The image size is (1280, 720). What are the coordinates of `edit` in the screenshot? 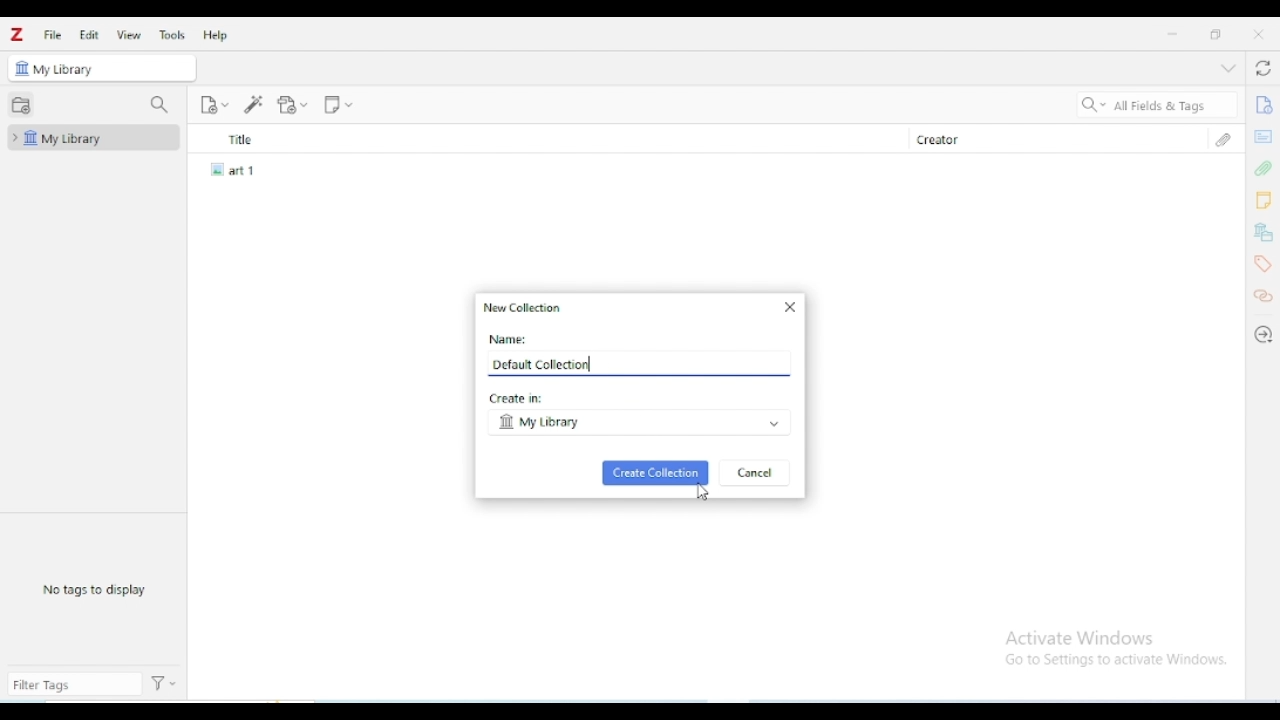 It's located at (89, 35).